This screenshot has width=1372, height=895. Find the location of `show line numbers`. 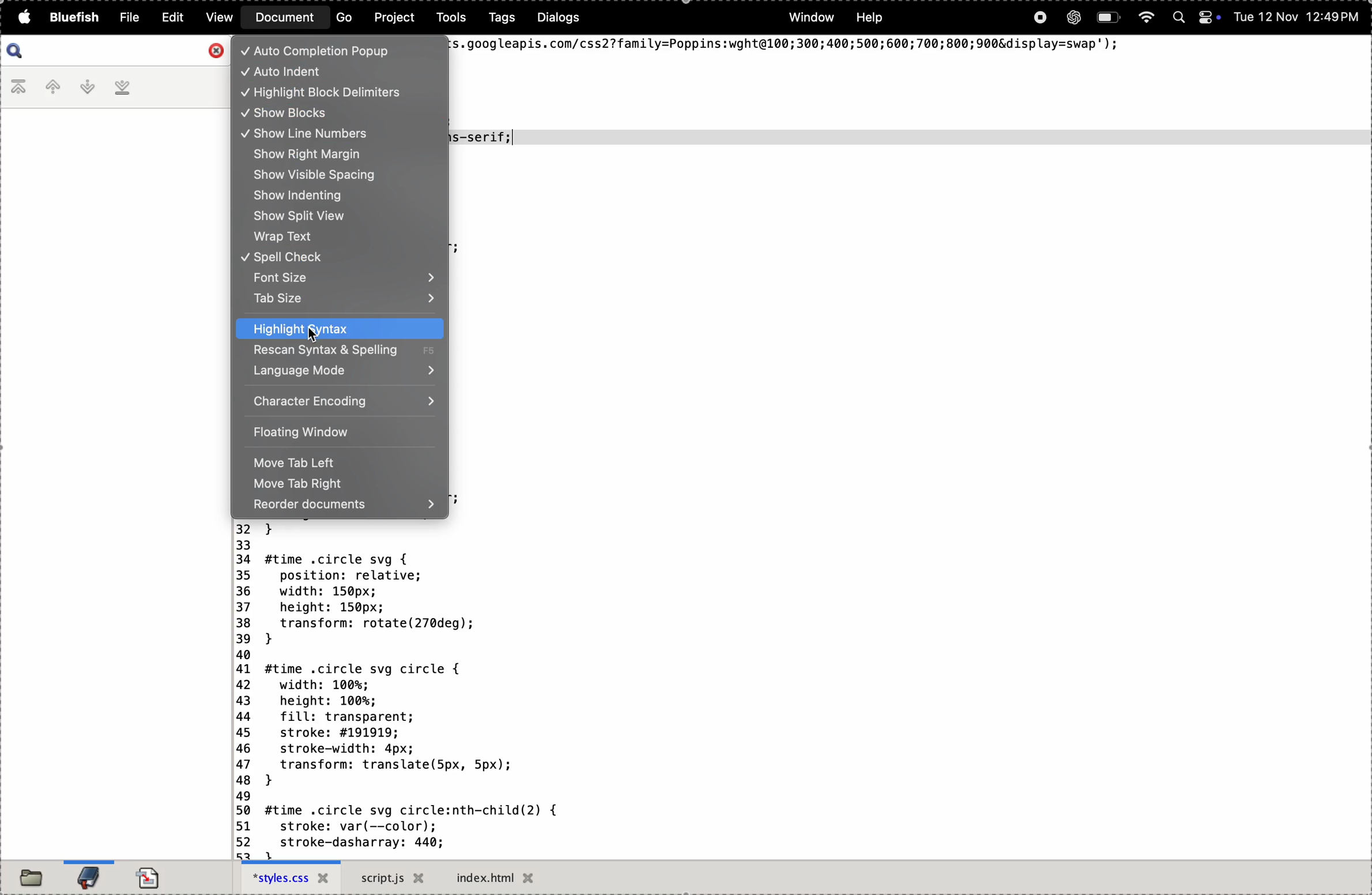

show line numbers is located at coordinates (323, 132).